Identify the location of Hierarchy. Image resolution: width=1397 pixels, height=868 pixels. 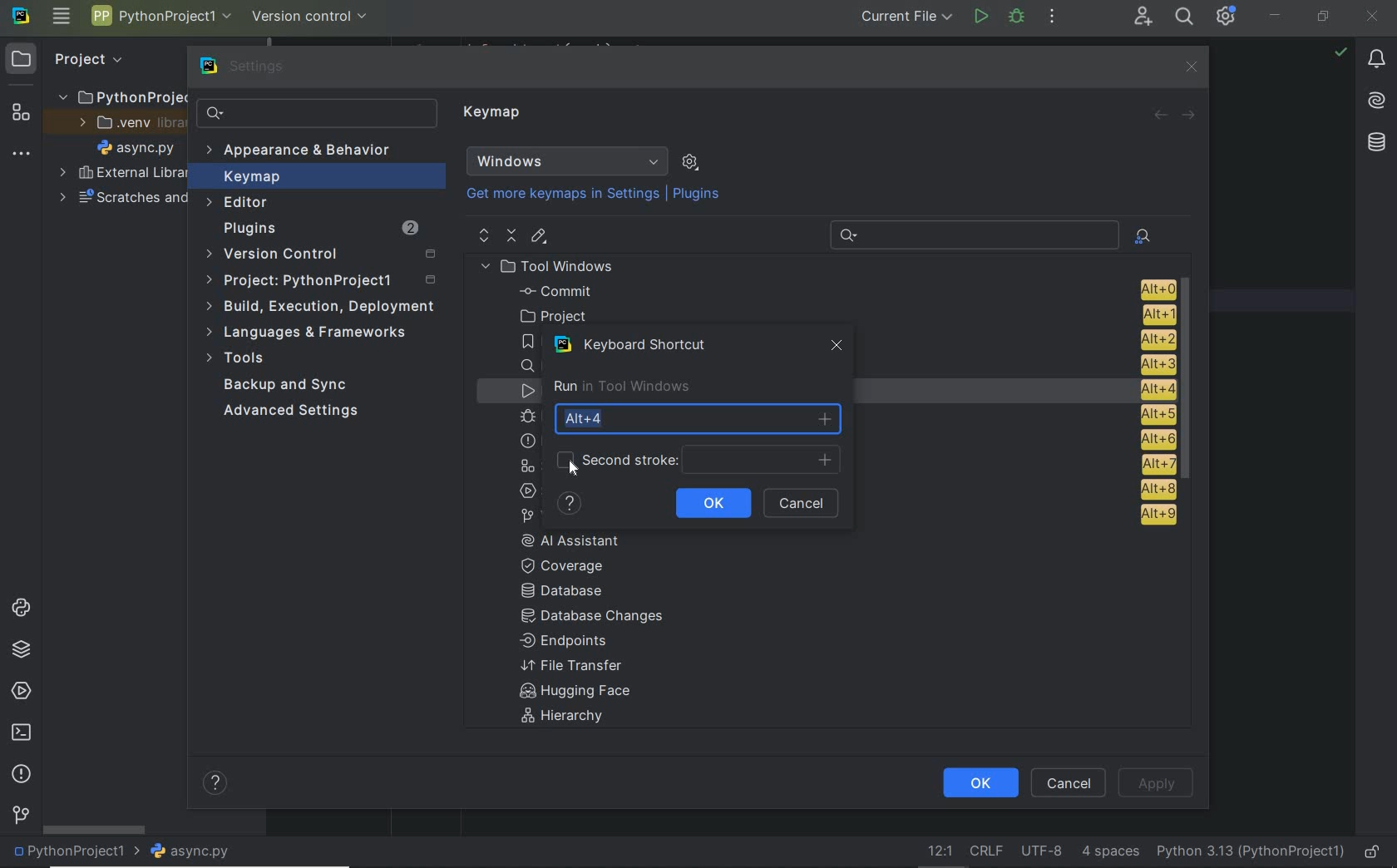
(571, 718).